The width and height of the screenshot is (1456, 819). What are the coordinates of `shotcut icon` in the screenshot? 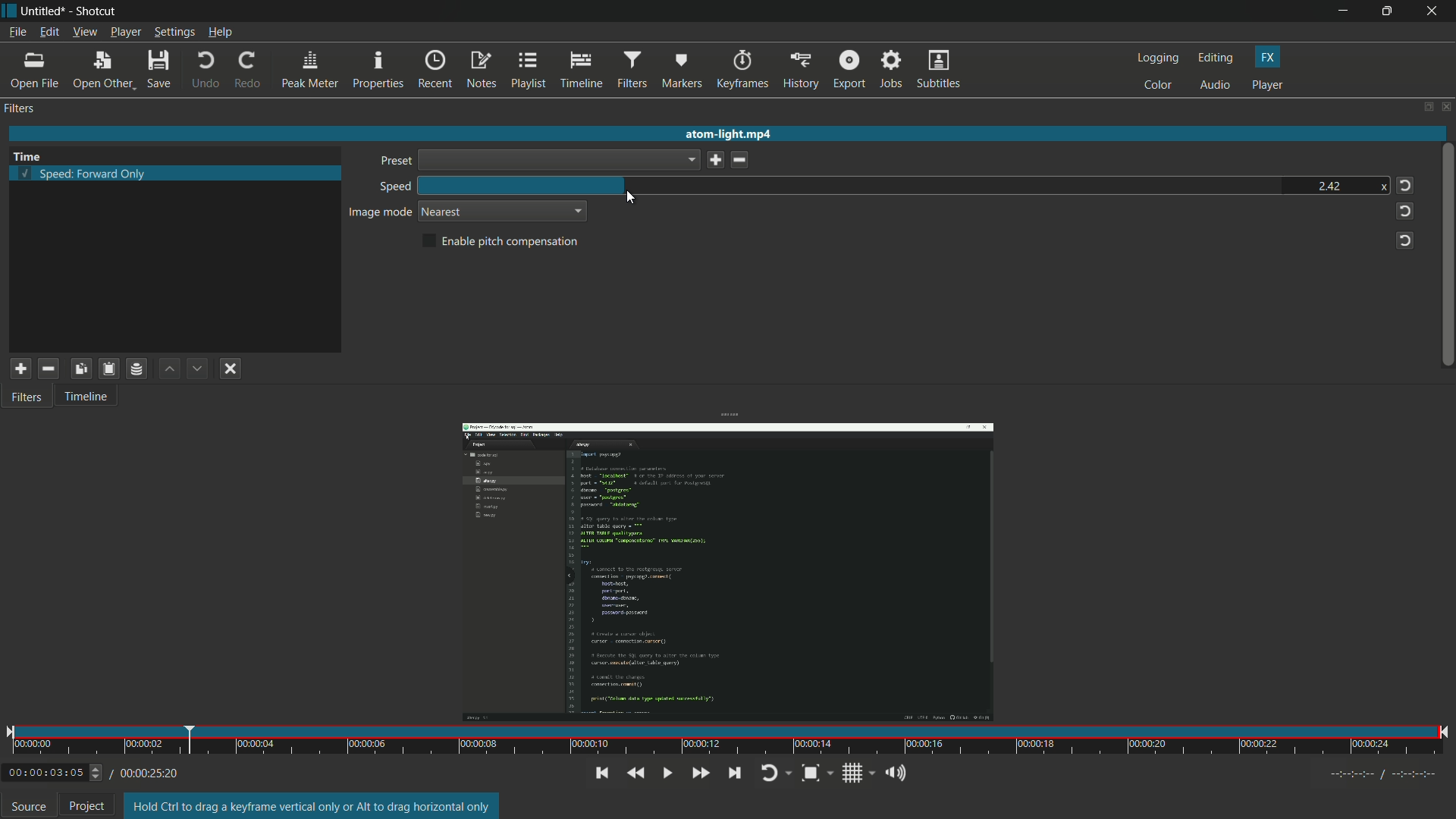 It's located at (9, 10).